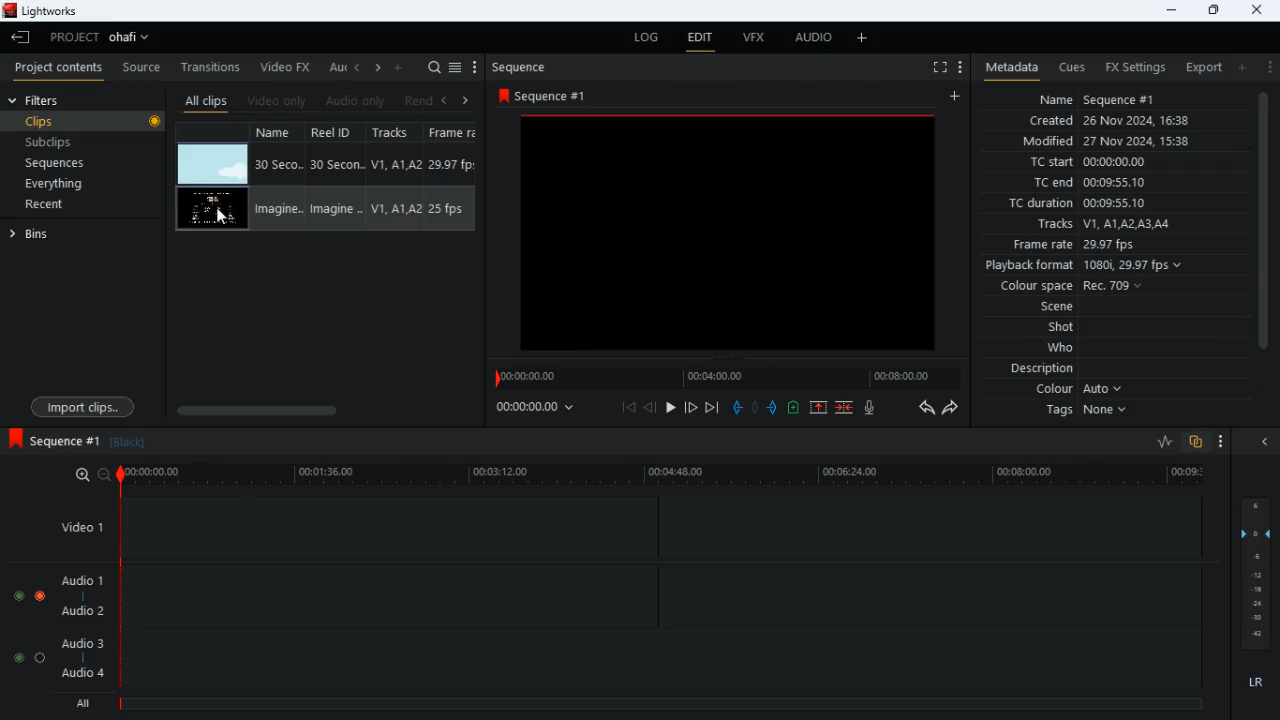  Describe the element at coordinates (662, 591) in the screenshot. I see `timeline tracks` at that location.